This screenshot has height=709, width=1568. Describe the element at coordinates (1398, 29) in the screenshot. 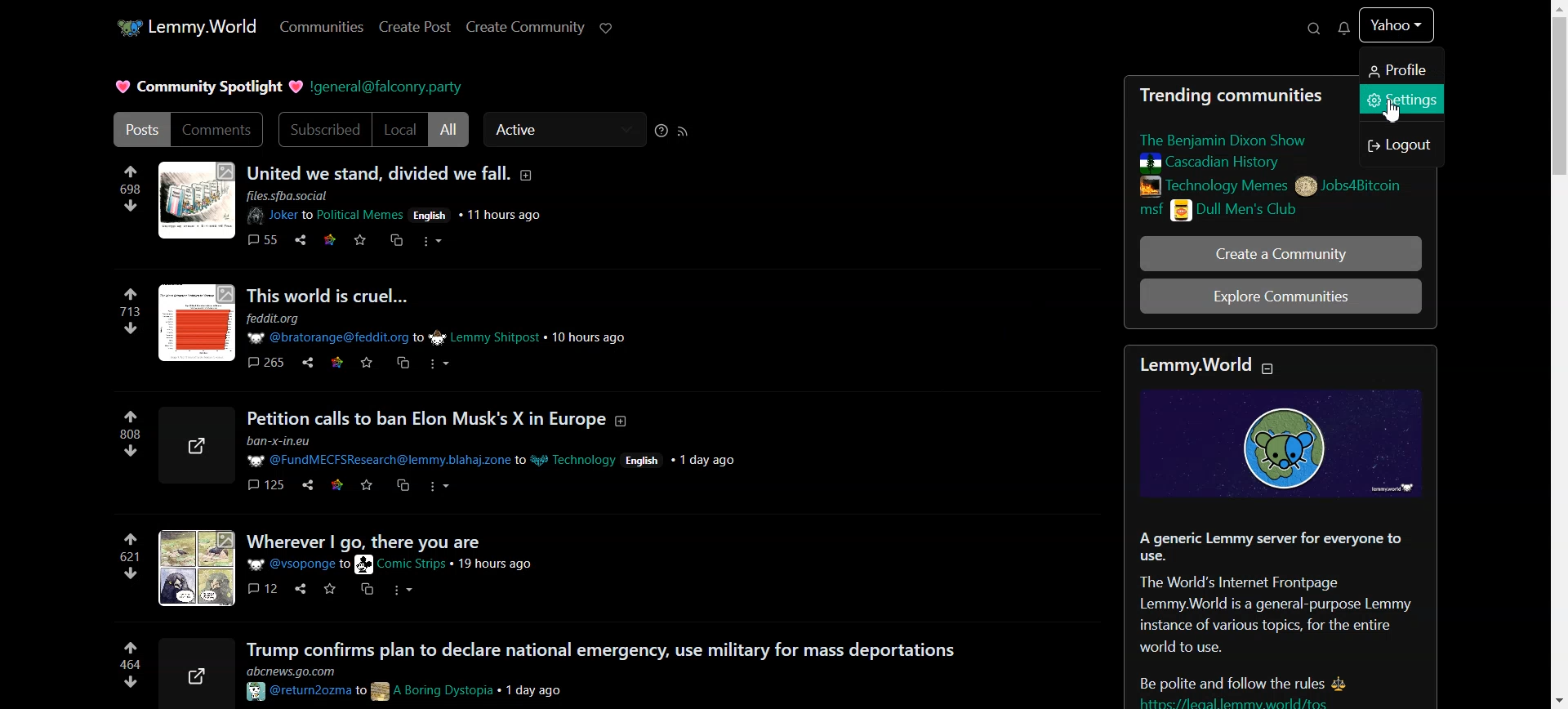

I see `yahoo` at that location.